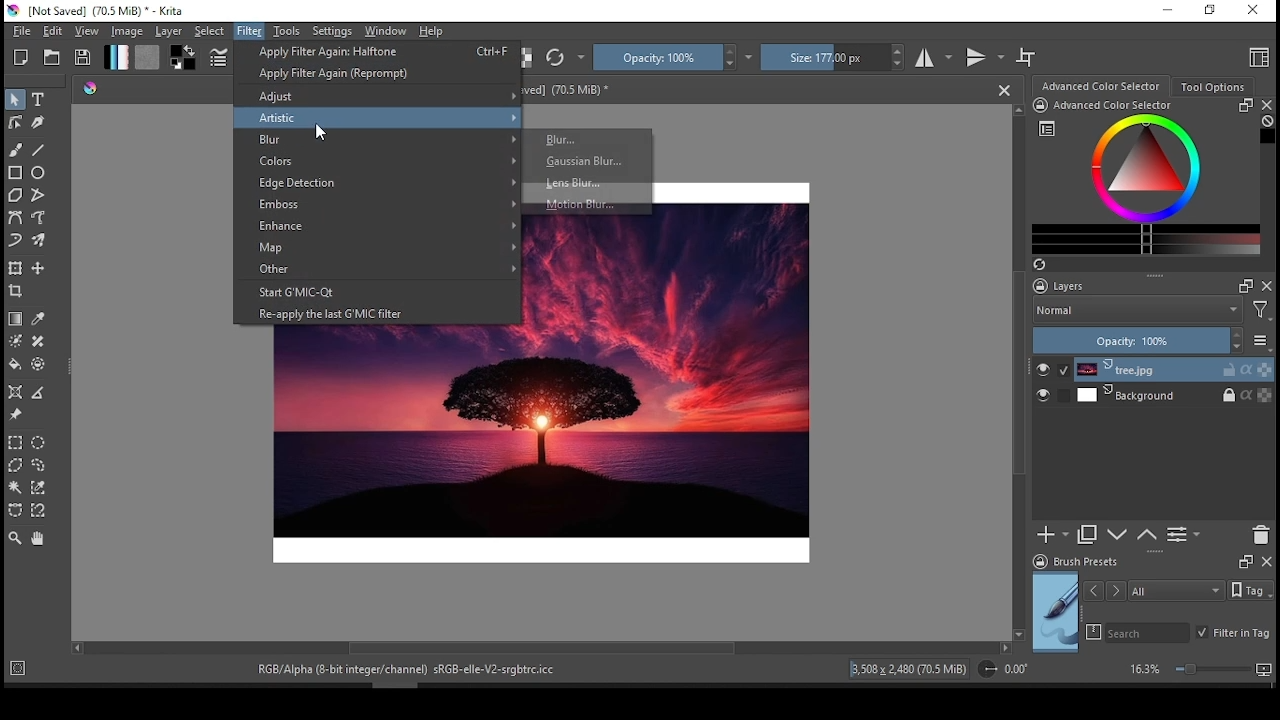 Image resolution: width=1280 pixels, height=720 pixels. What do you see at coordinates (377, 160) in the screenshot?
I see `colors` at bounding box center [377, 160].